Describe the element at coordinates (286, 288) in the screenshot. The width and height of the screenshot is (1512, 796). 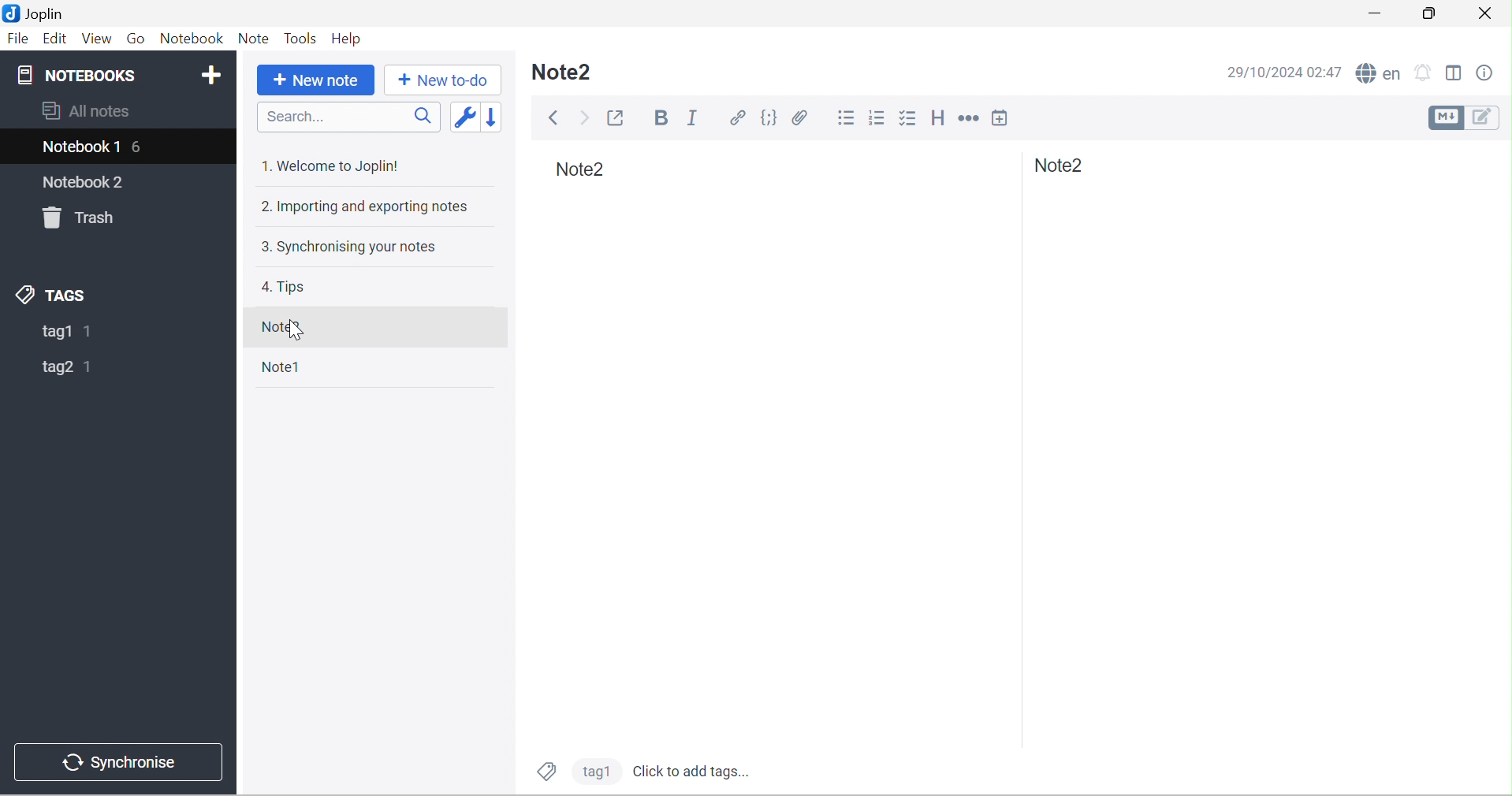
I see `Tips` at that location.